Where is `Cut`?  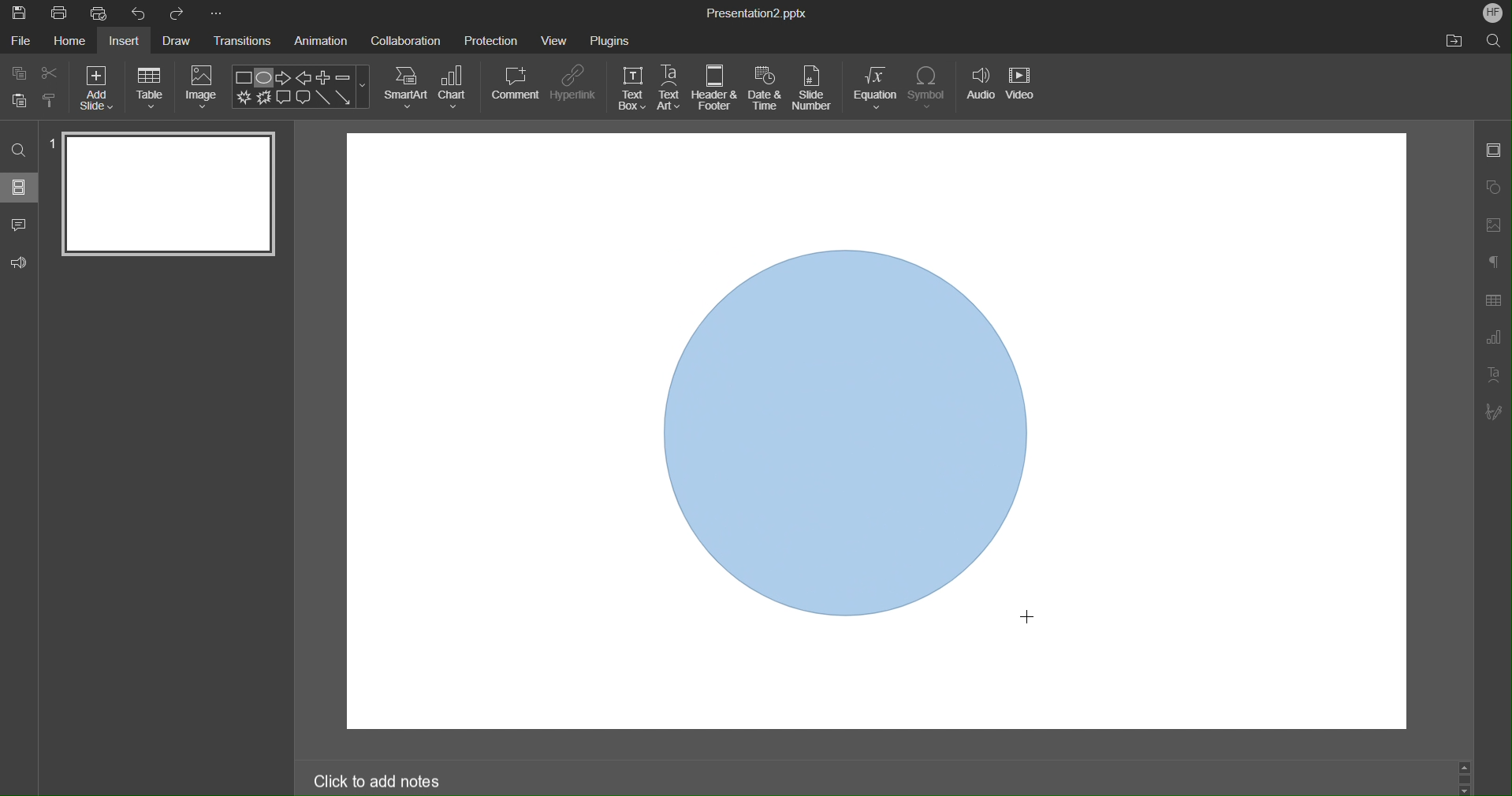
Cut is located at coordinates (51, 73).